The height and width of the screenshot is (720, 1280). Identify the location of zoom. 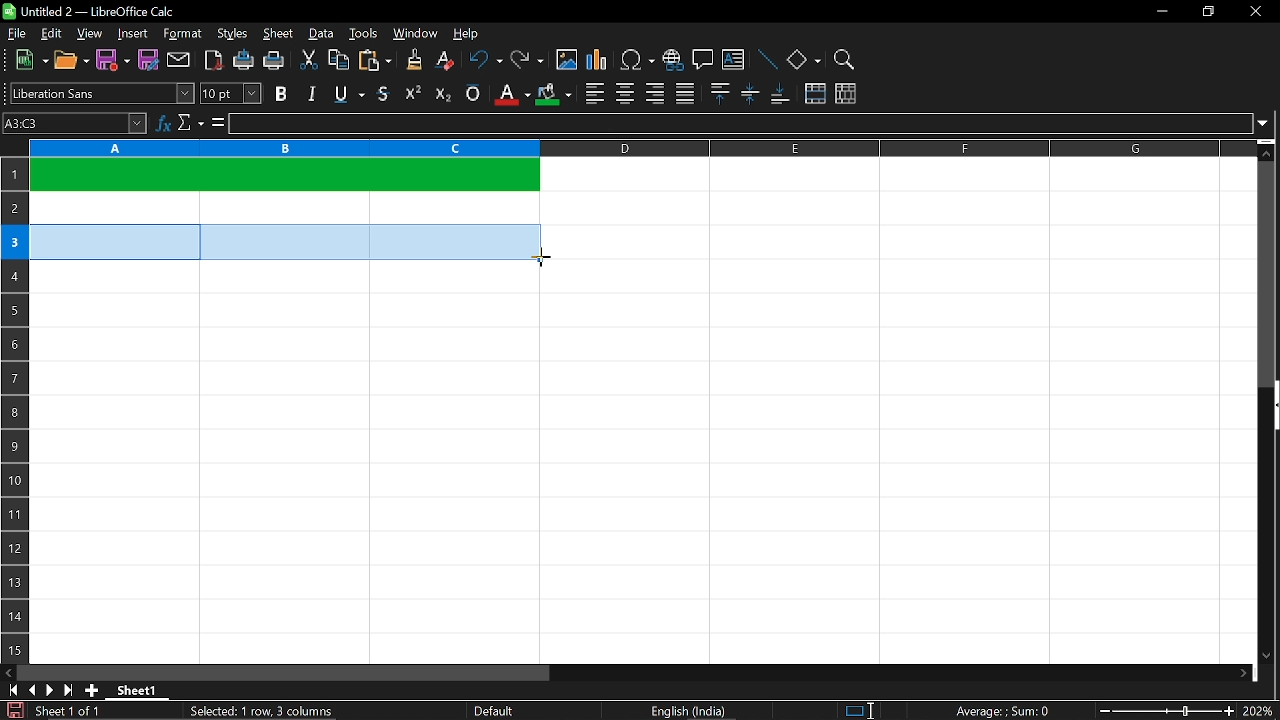
(845, 57).